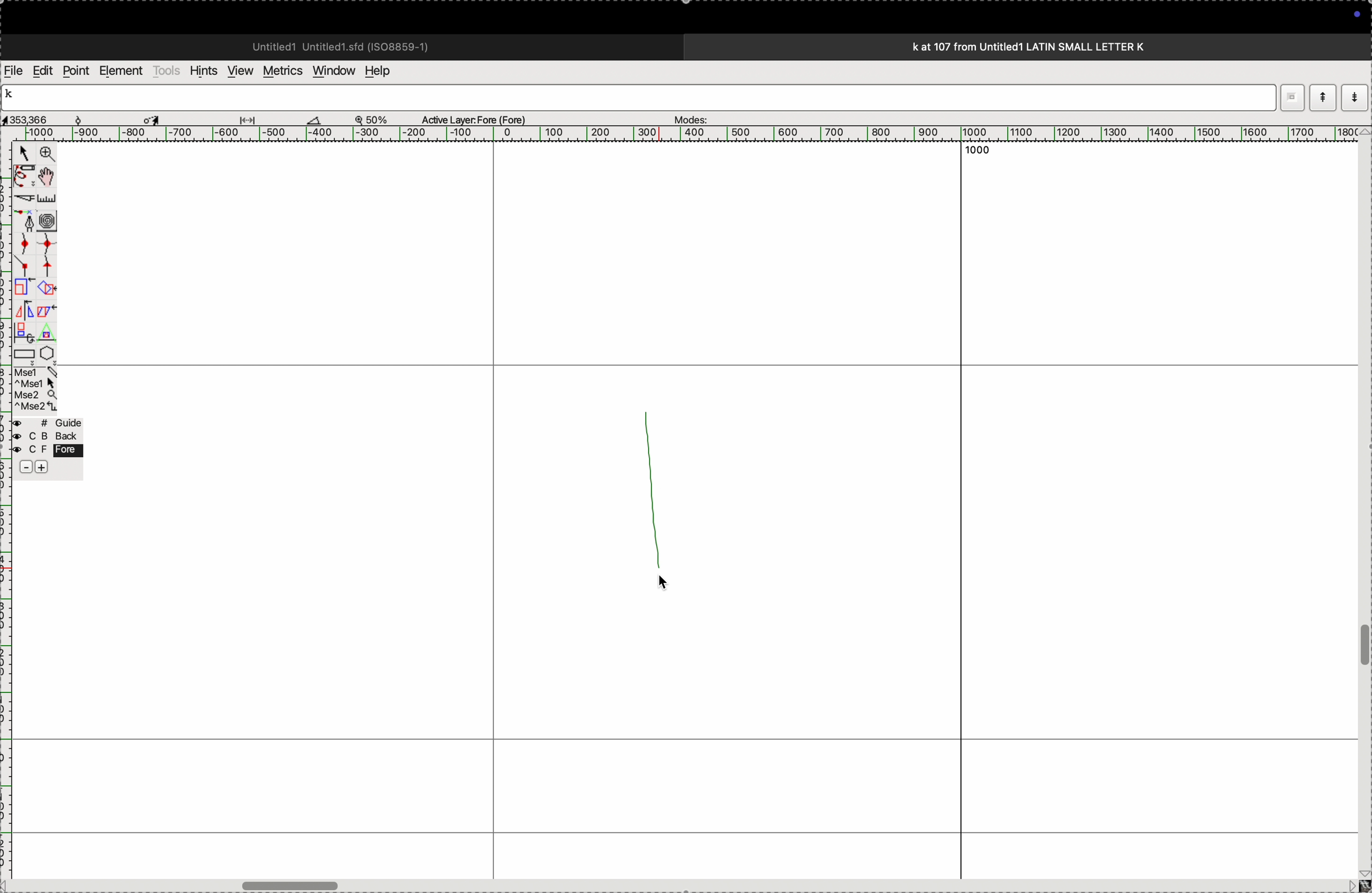 The height and width of the screenshot is (893, 1372). Describe the element at coordinates (1060, 46) in the screenshot. I see `title` at that location.